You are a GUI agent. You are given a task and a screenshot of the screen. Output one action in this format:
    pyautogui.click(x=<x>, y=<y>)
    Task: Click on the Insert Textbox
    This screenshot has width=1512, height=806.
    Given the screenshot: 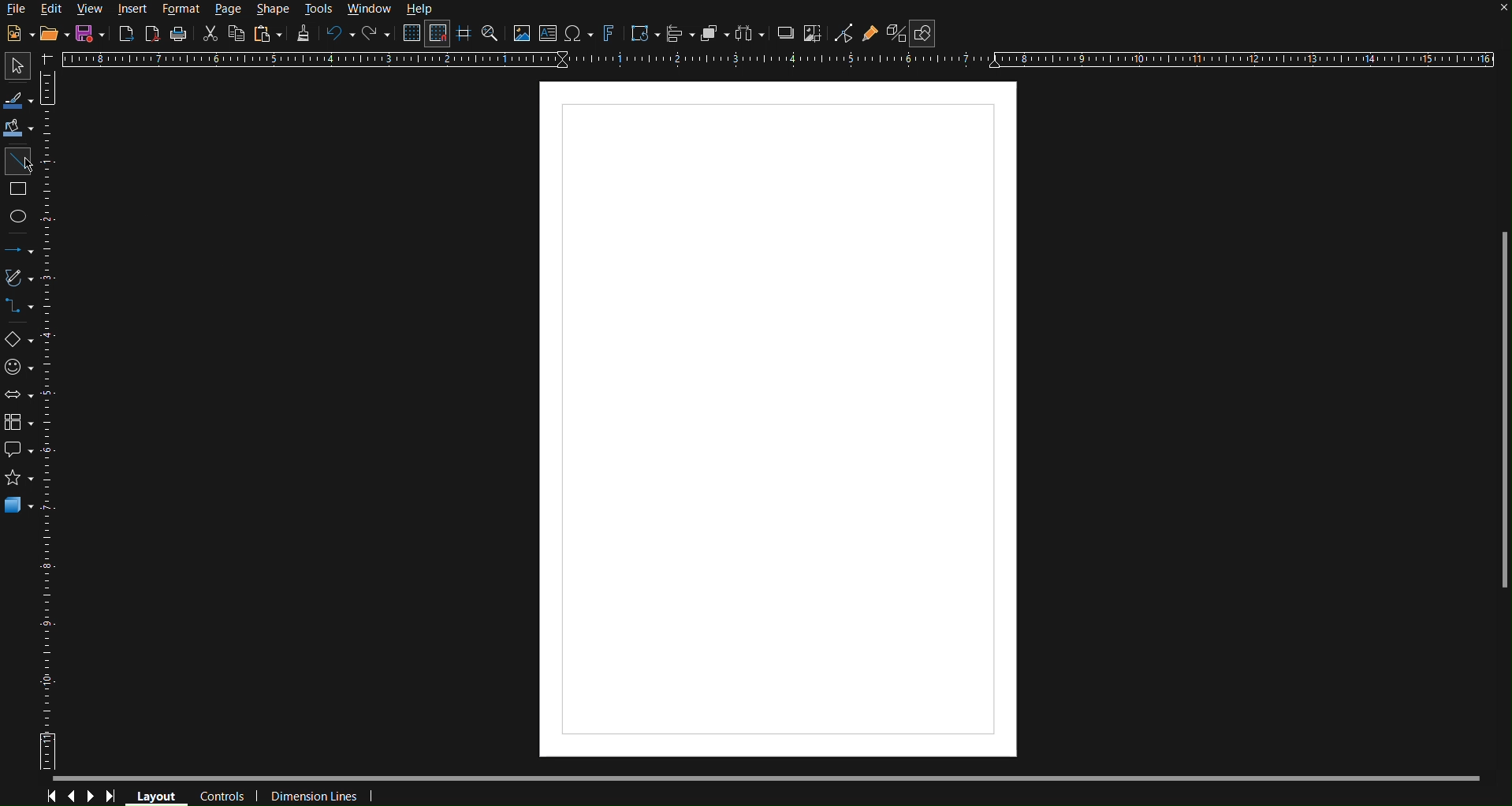 What is the action you would take?
    pyautogui.click(x=549, y=34)
    